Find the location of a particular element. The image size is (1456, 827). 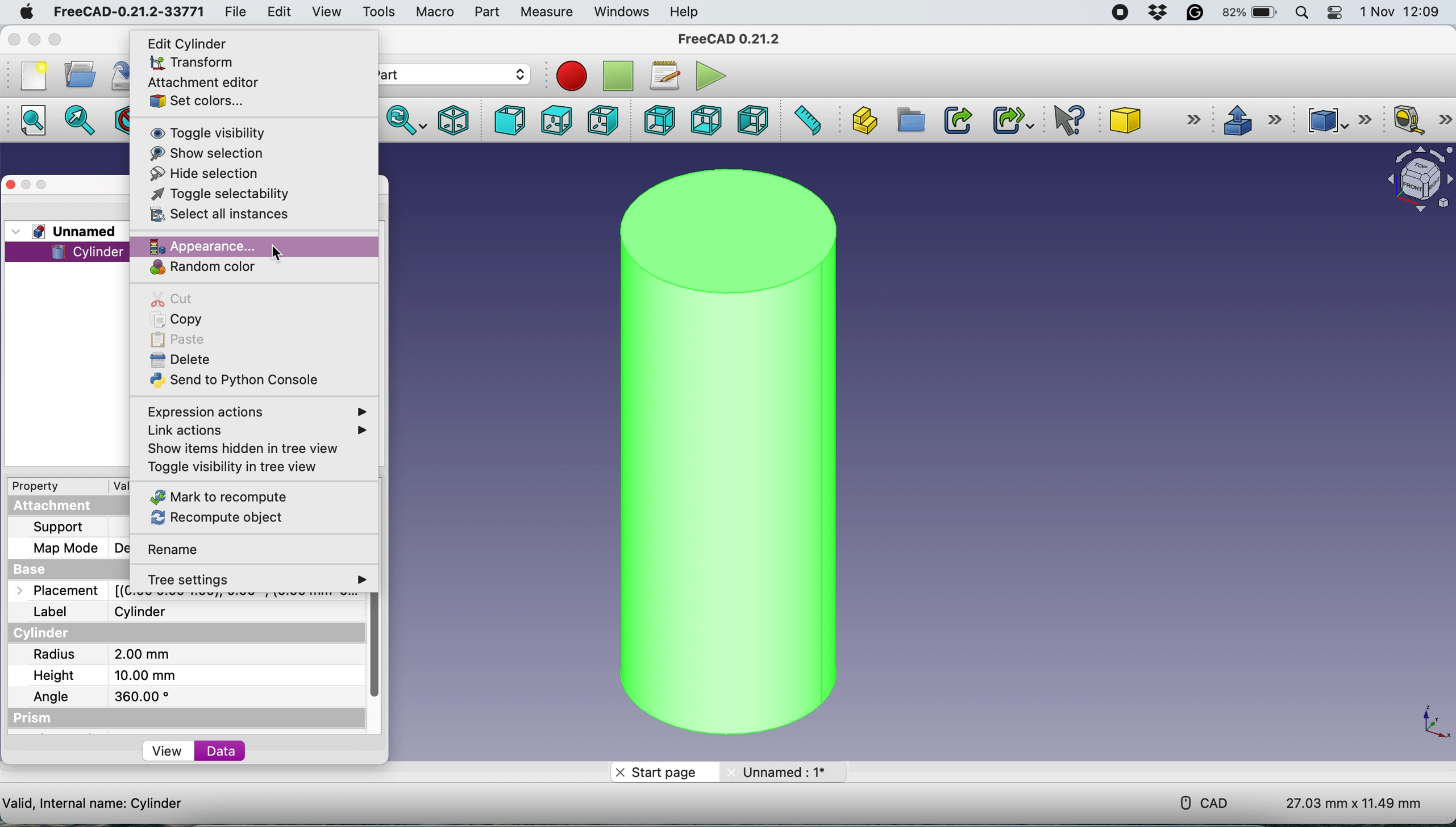

grammarly is located at coordinates (1197, 14).